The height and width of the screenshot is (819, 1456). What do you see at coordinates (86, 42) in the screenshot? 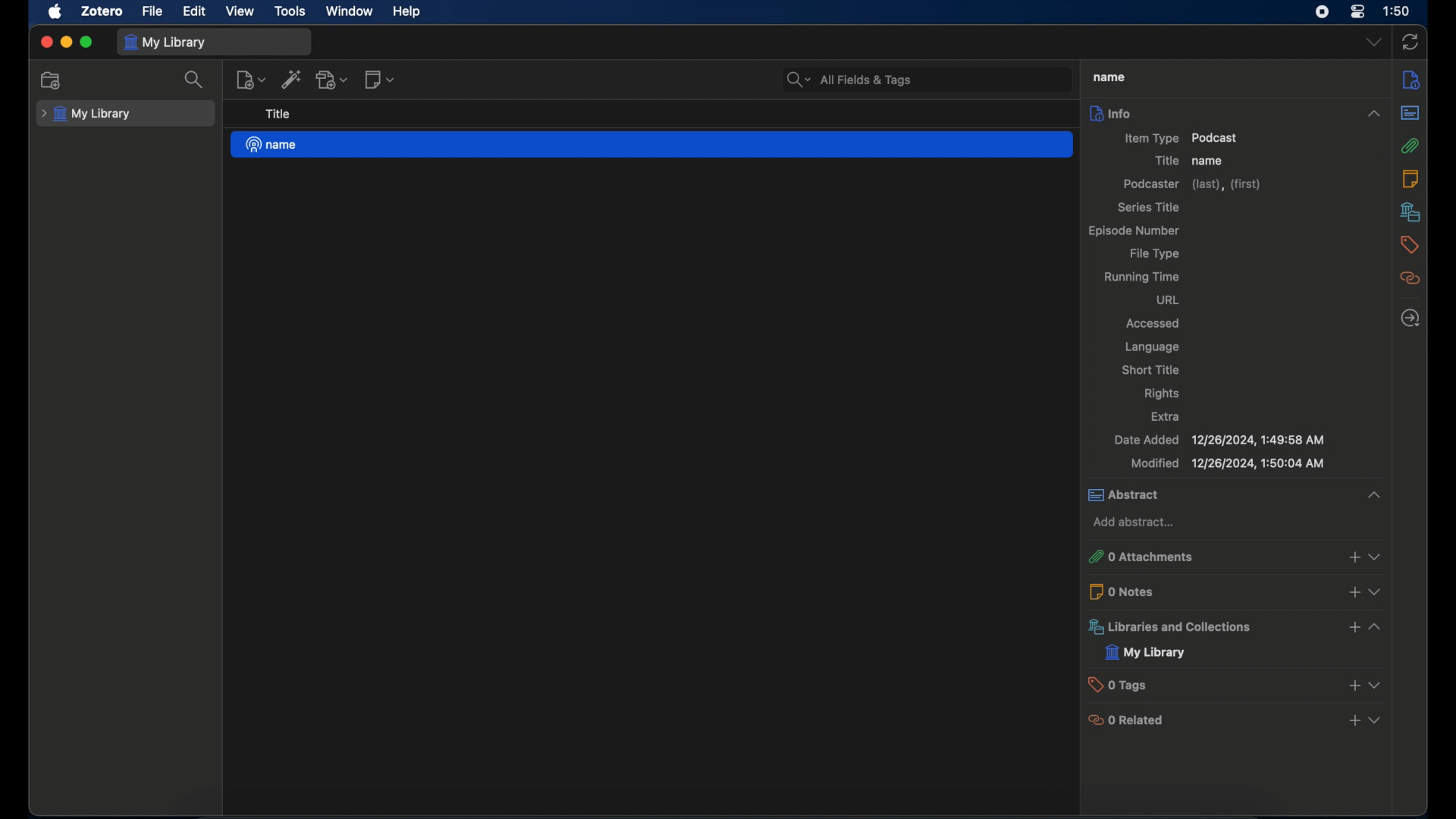
I see `maximize` at bounding box center [86, 42].